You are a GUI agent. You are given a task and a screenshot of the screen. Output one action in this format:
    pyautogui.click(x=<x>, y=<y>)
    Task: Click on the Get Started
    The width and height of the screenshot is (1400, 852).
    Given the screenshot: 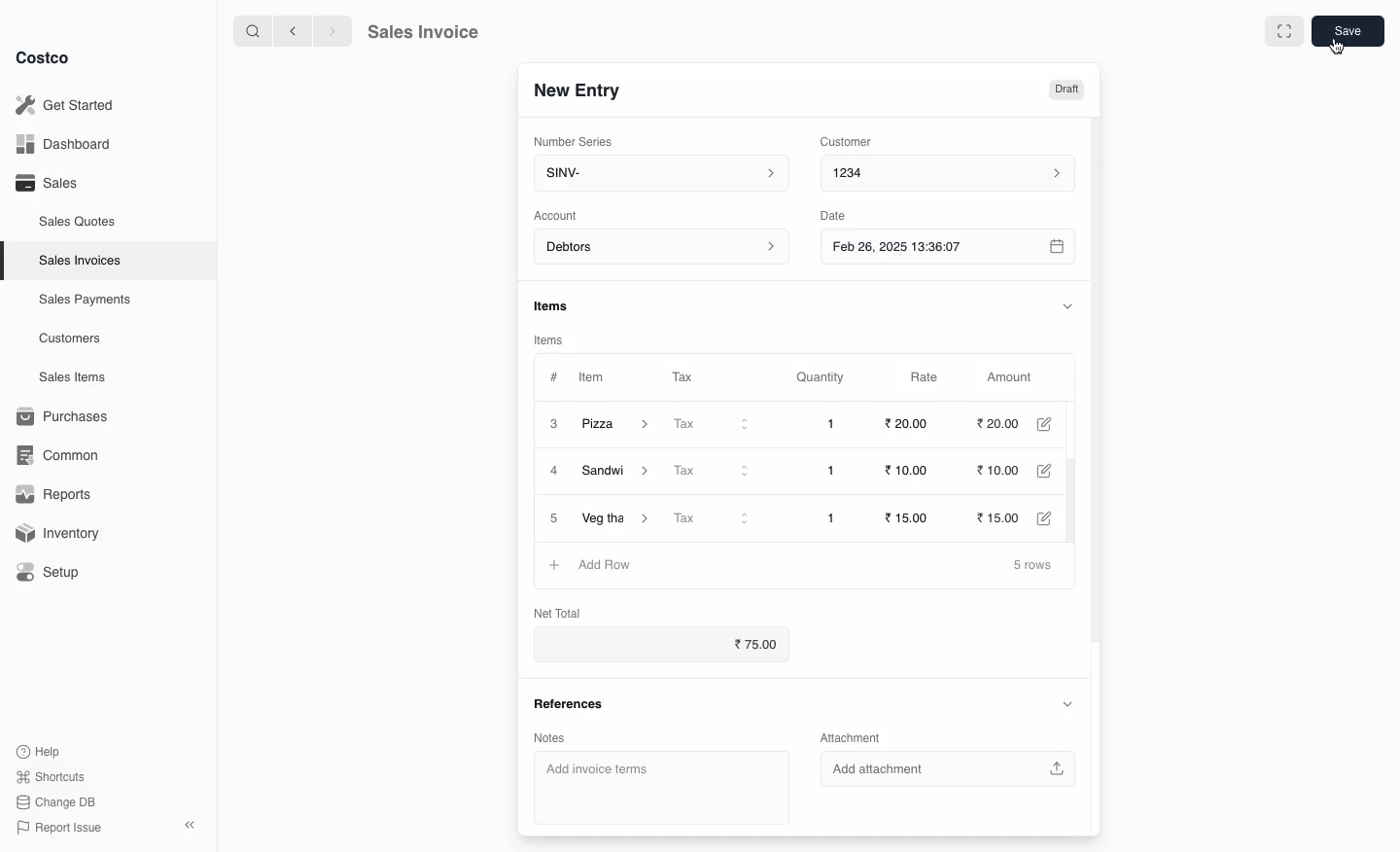 What is the action you would take?
    pyautogui.click(x=64, y=104)
    